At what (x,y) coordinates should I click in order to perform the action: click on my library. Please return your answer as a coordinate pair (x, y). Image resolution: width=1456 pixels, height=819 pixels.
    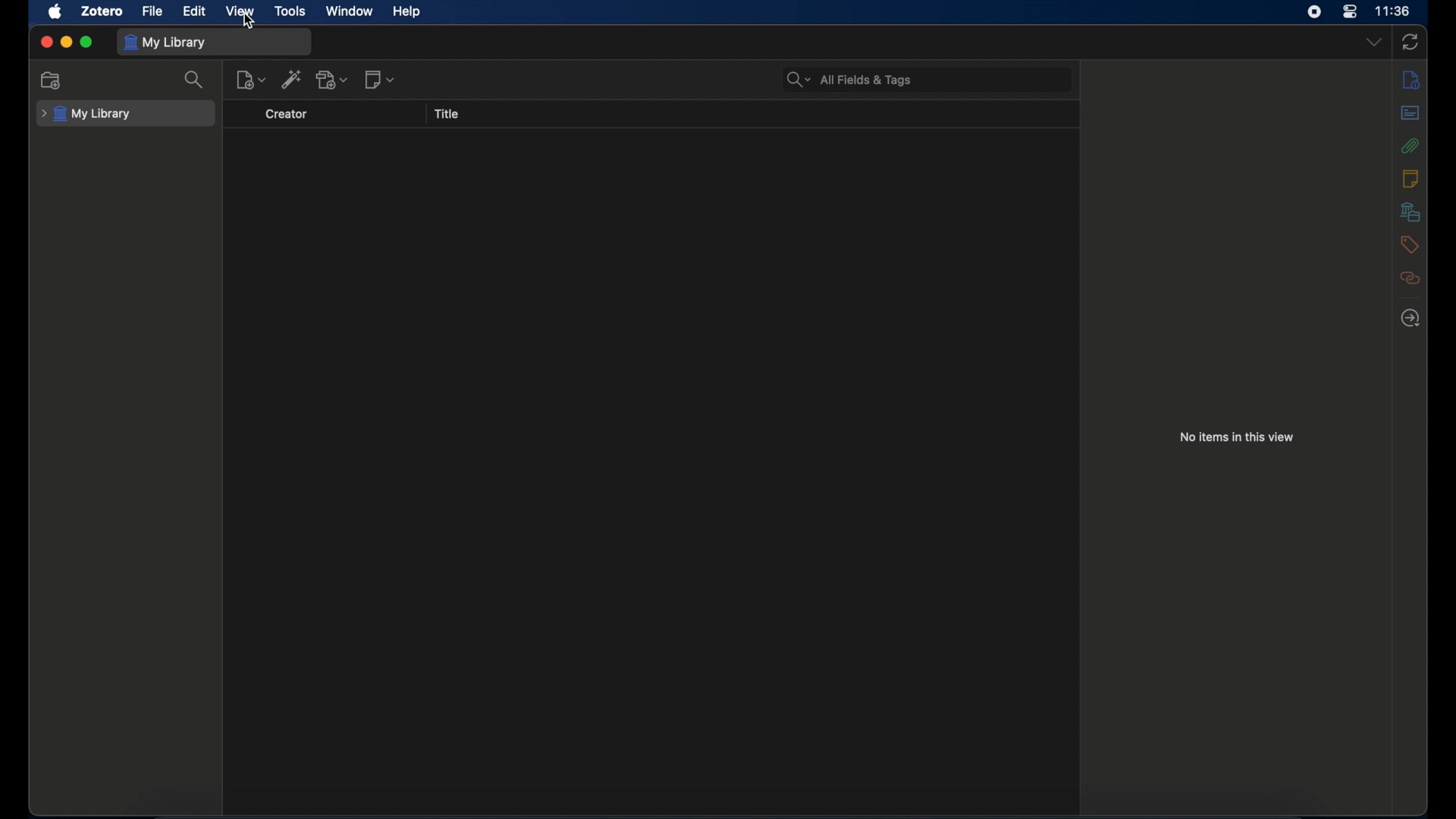
    Looking at the image, I should click on (86, 115).